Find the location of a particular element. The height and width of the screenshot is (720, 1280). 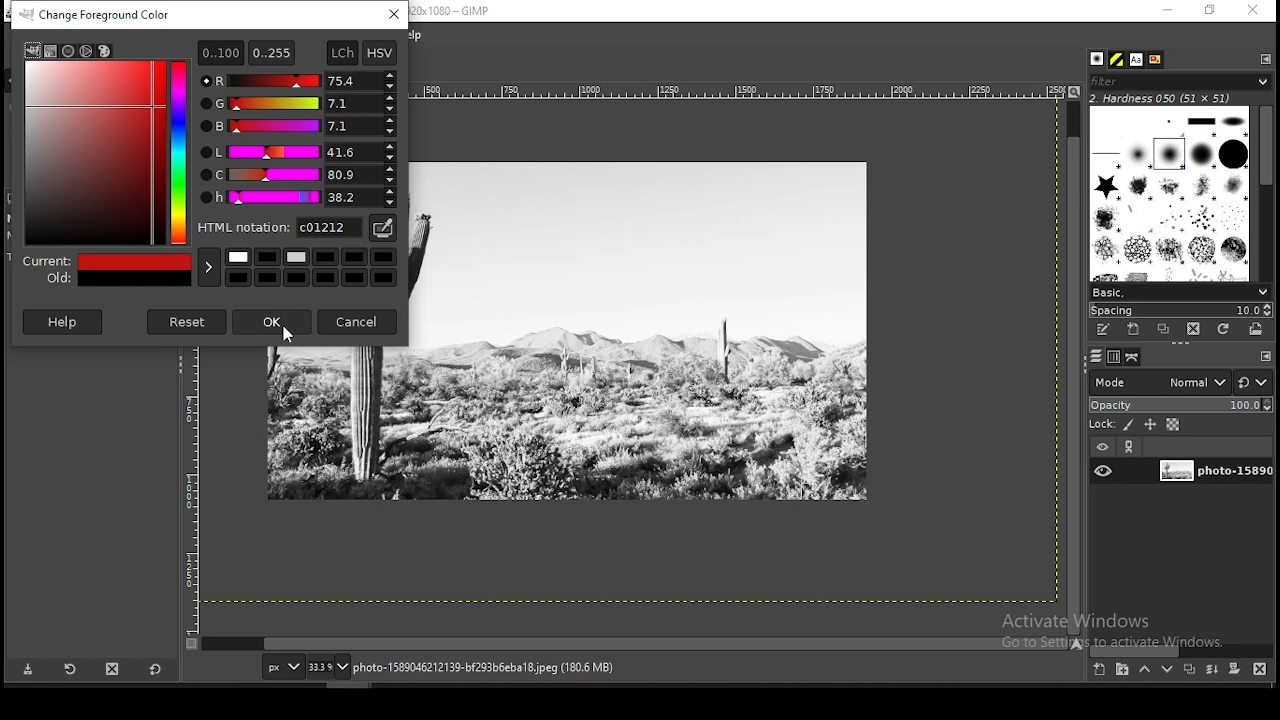

layer visibility is located at coordinates (1101, 448).